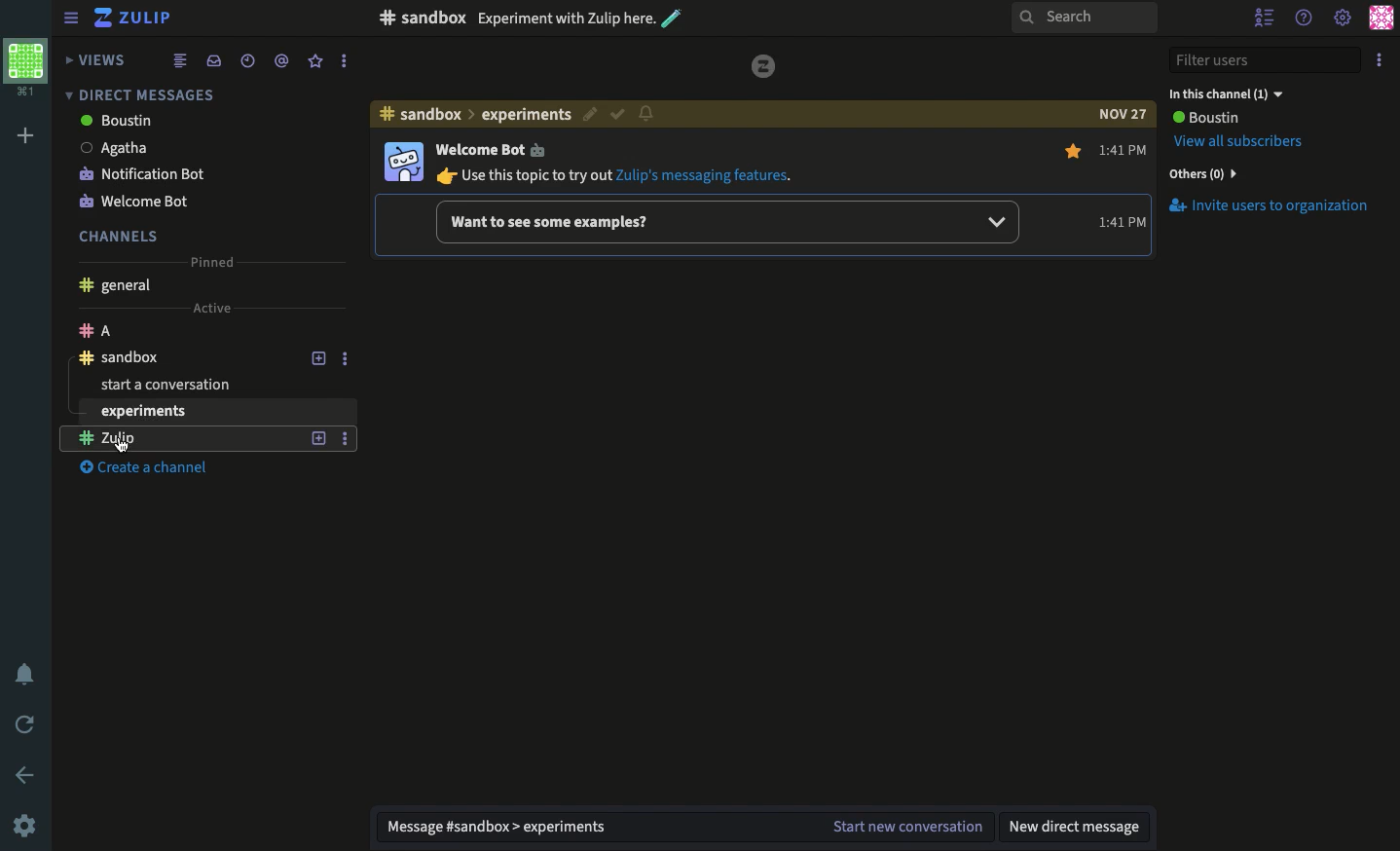 This screenshot has width=1400, height=851. Describe the element at coordinates (422, 18) in the screenshot. I see `# sandbox` at that location.